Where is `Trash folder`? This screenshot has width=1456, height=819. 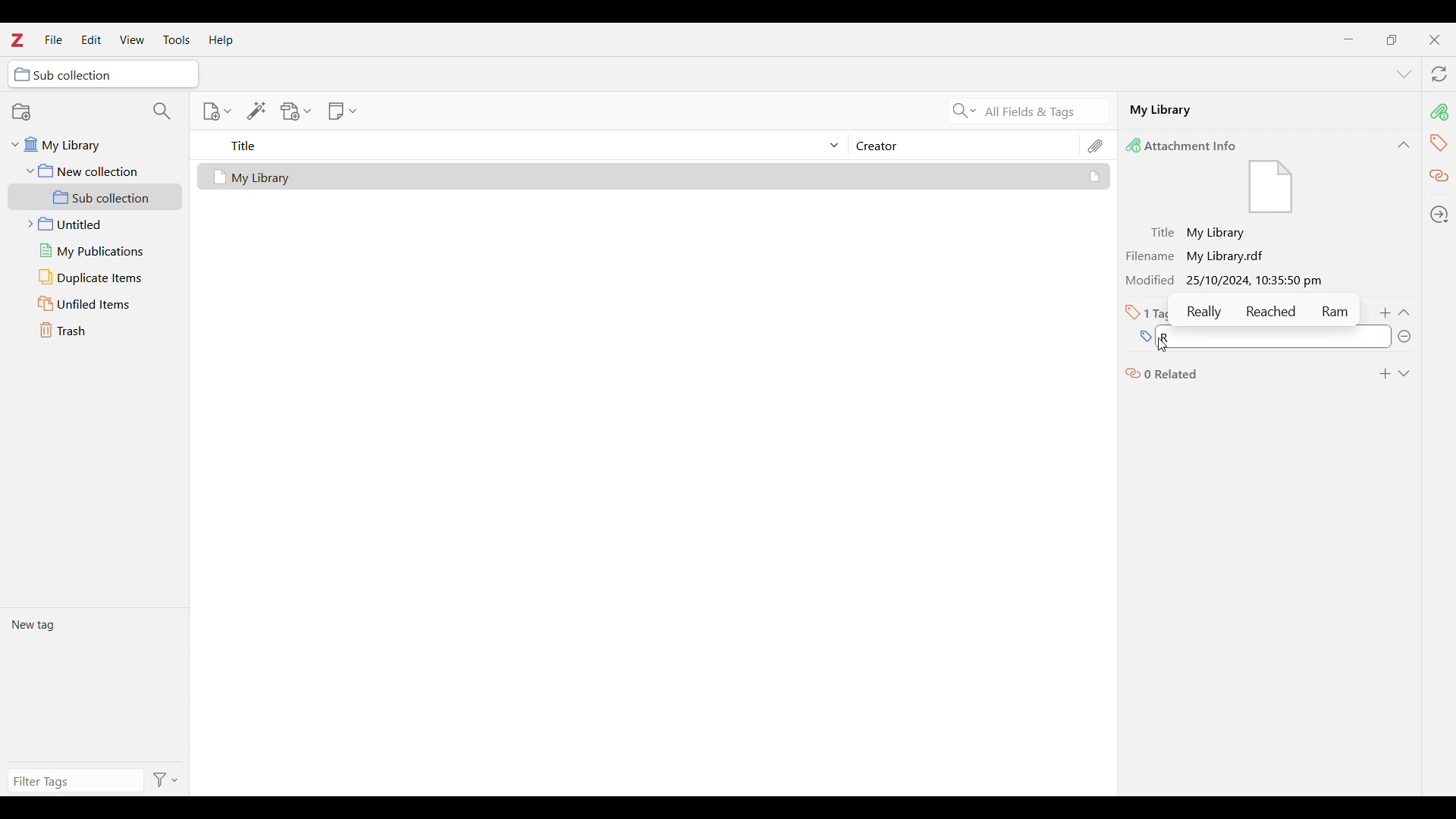 Trash folder is located at coordinates (95, 330).